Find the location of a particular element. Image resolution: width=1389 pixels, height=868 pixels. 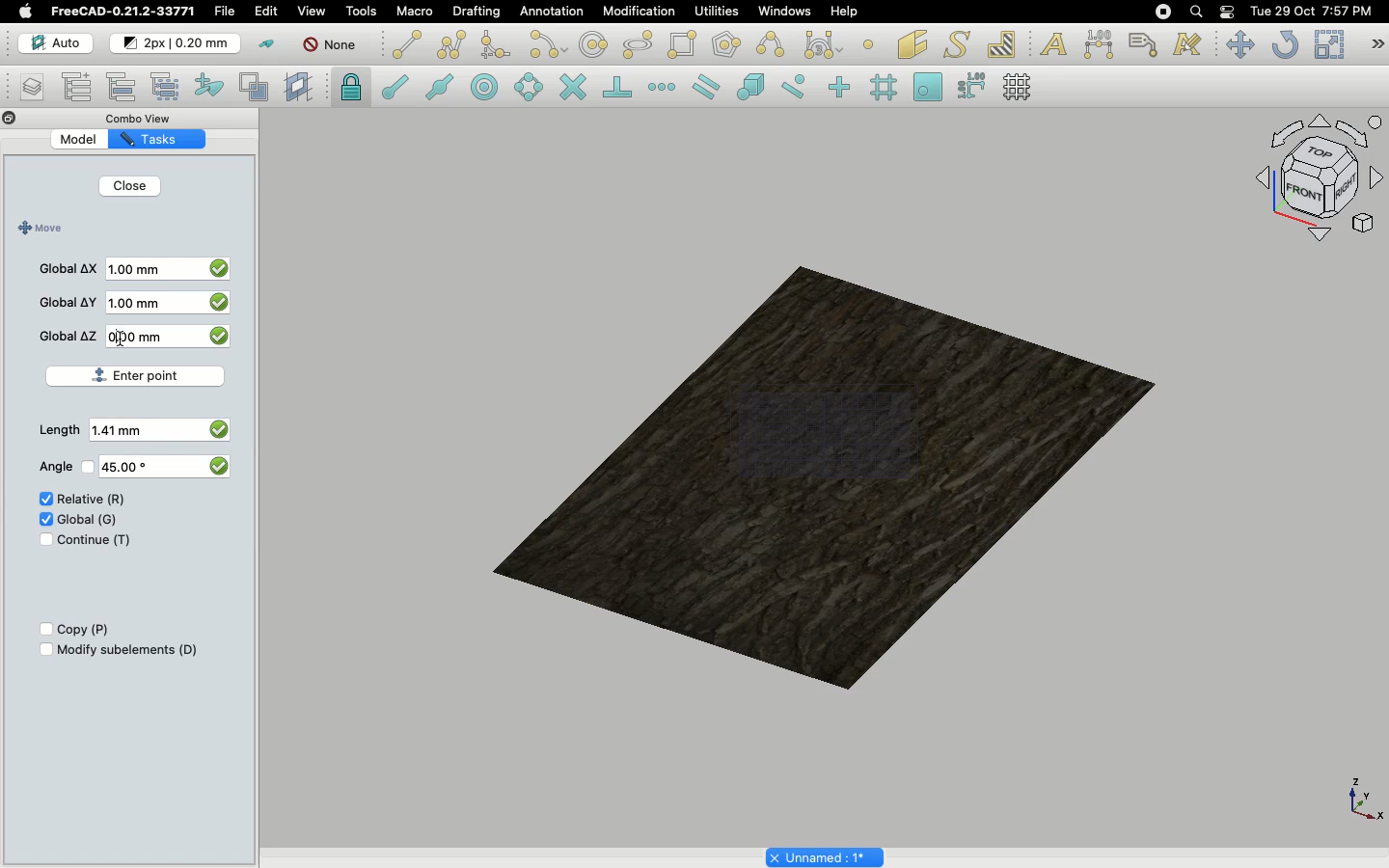

Circle is located at coordinates (594, 47).